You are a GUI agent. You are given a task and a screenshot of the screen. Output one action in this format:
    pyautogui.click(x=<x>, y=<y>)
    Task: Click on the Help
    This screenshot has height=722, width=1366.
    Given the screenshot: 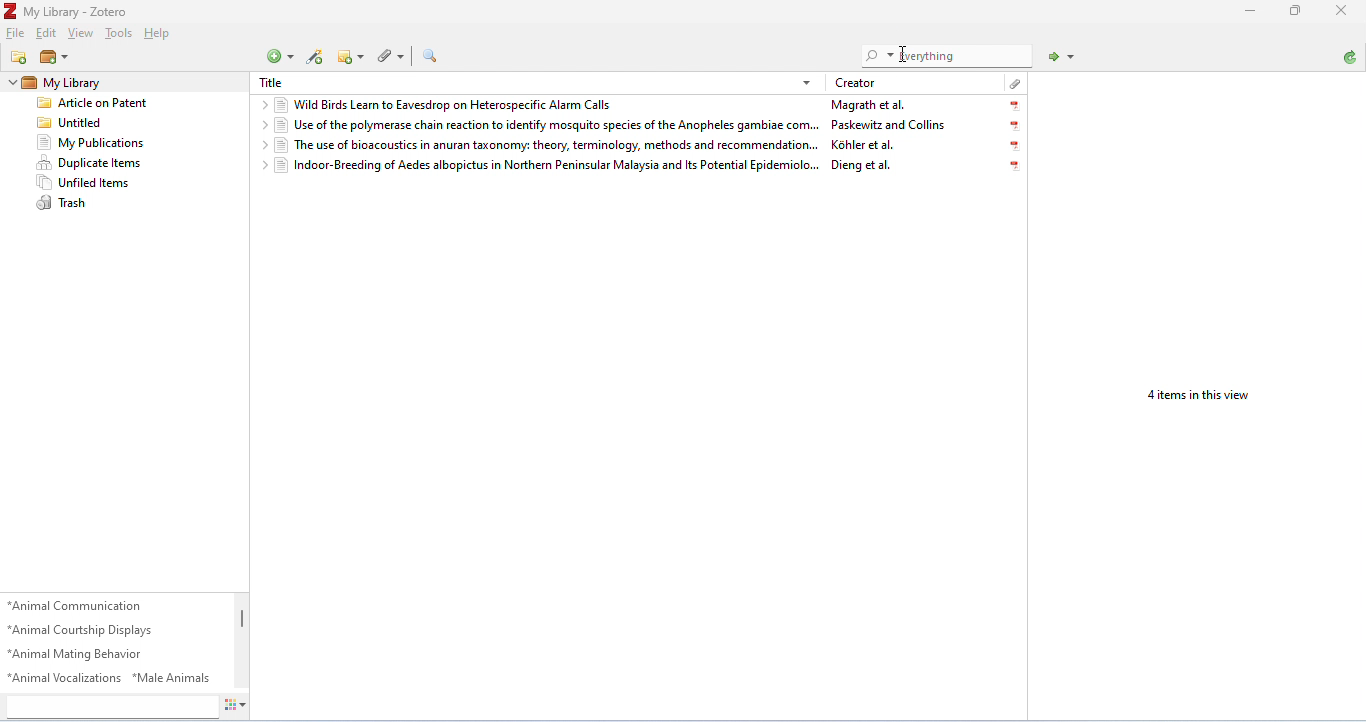 What is the action you would take?
    pyautogui.click(x=160, y=34)
    